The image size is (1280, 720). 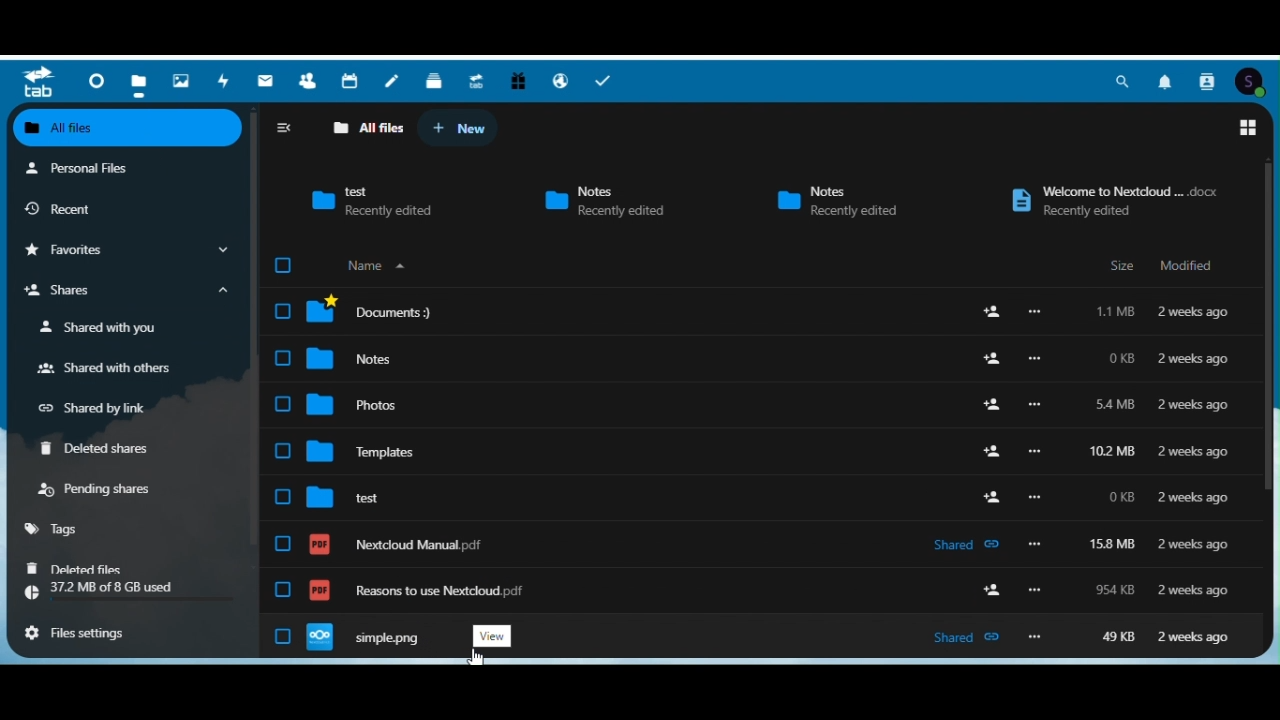 I want to click on Checkbox, so click(x=283, y=266).